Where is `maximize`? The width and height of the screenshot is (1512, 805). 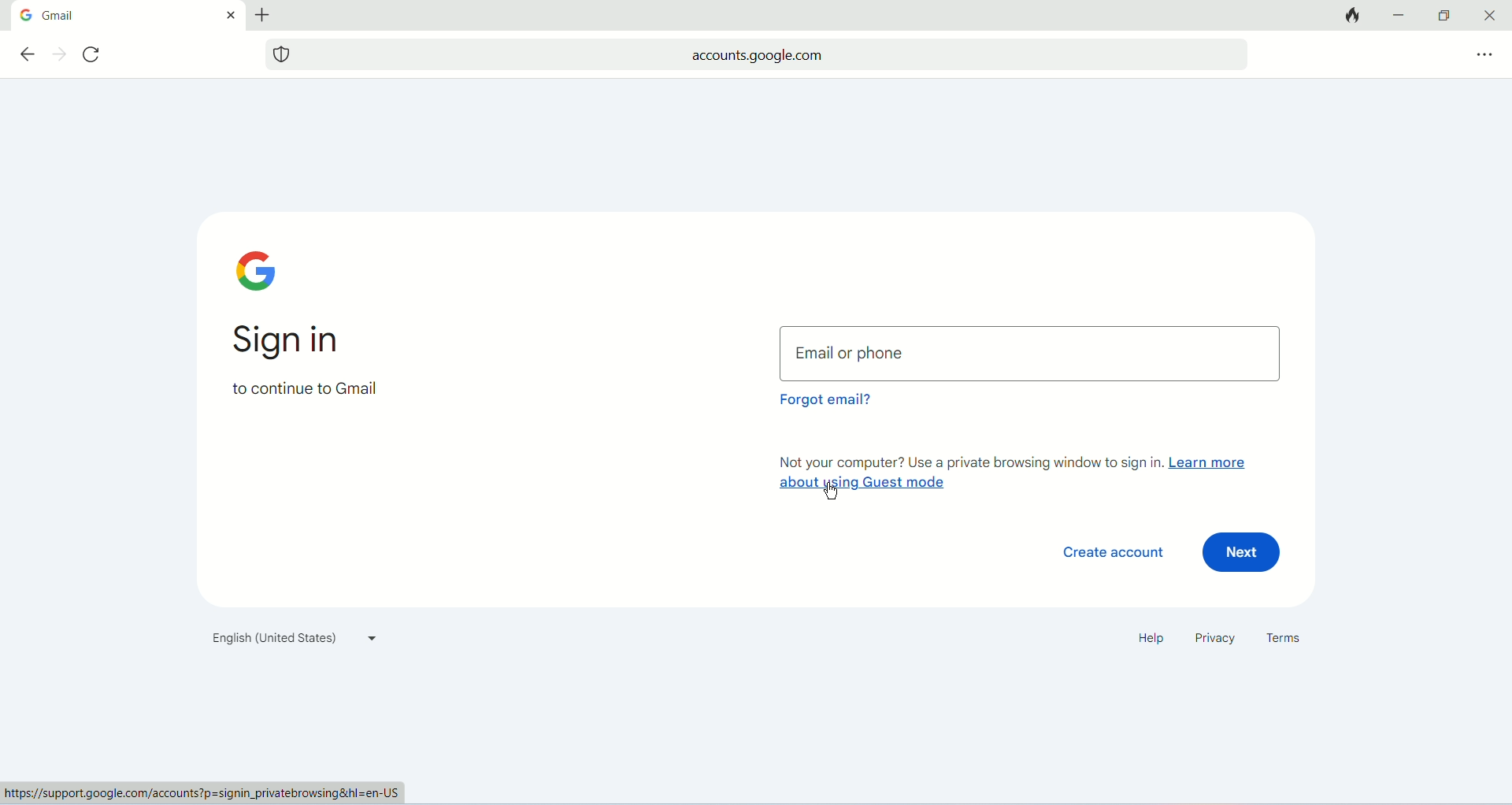 maximize is located at coordinates (1442, 16).